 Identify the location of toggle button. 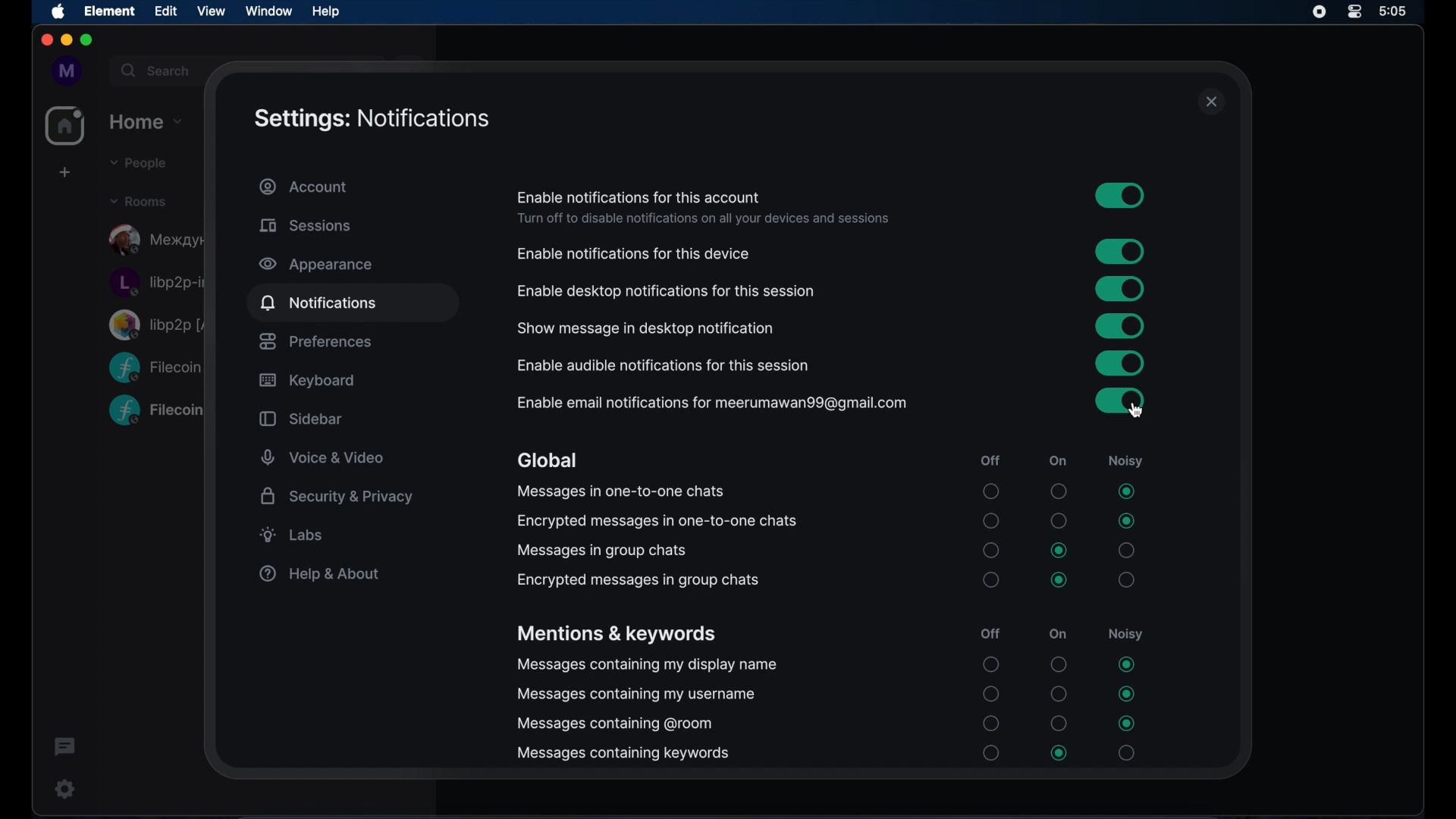
(1119, 363).